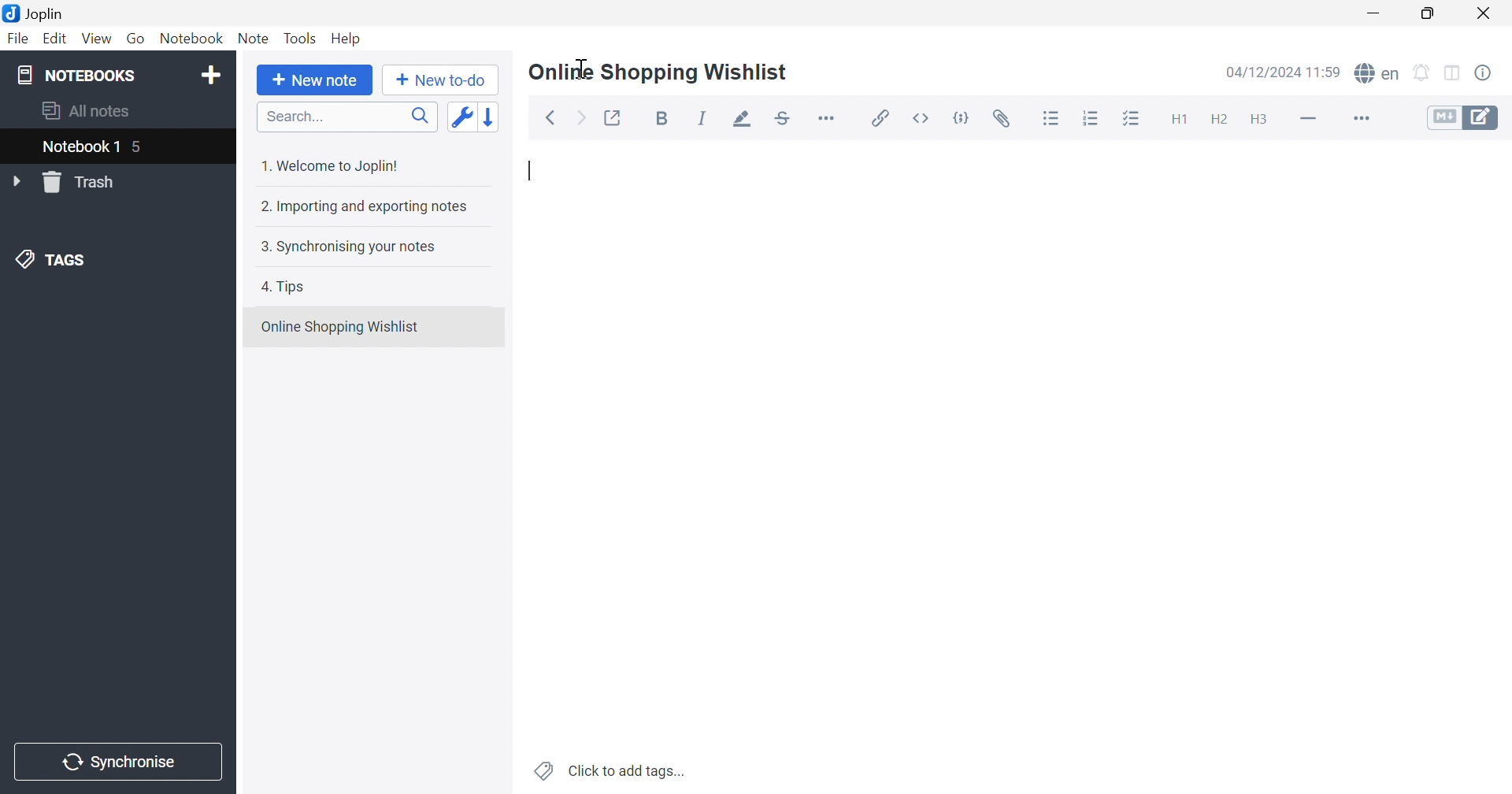  What do you see at coordinates (35, 13) in the screenshot?
I see `Joplin` at bounding box center [35, 13].